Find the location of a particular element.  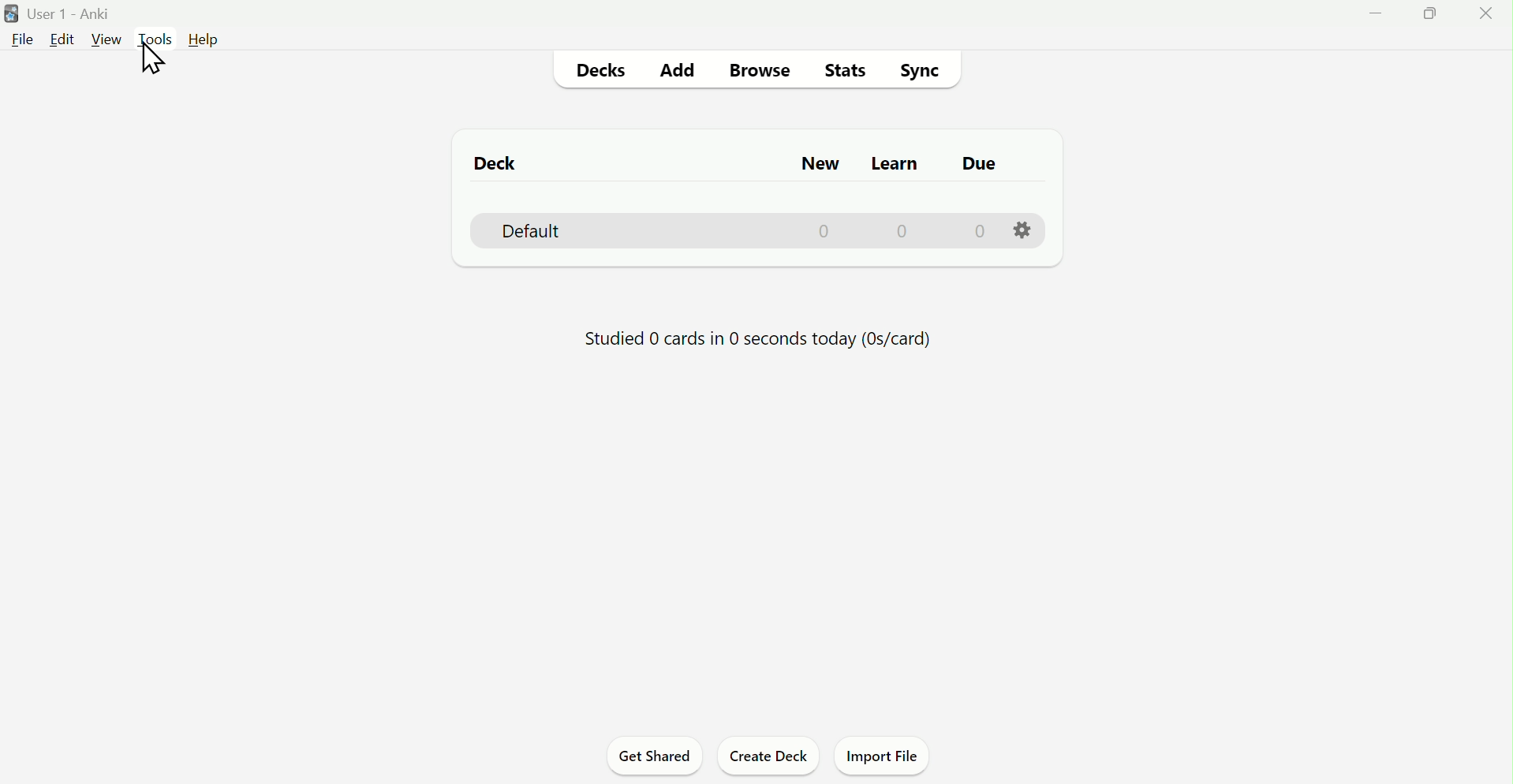

settings is located at coordinates (1018, 230).